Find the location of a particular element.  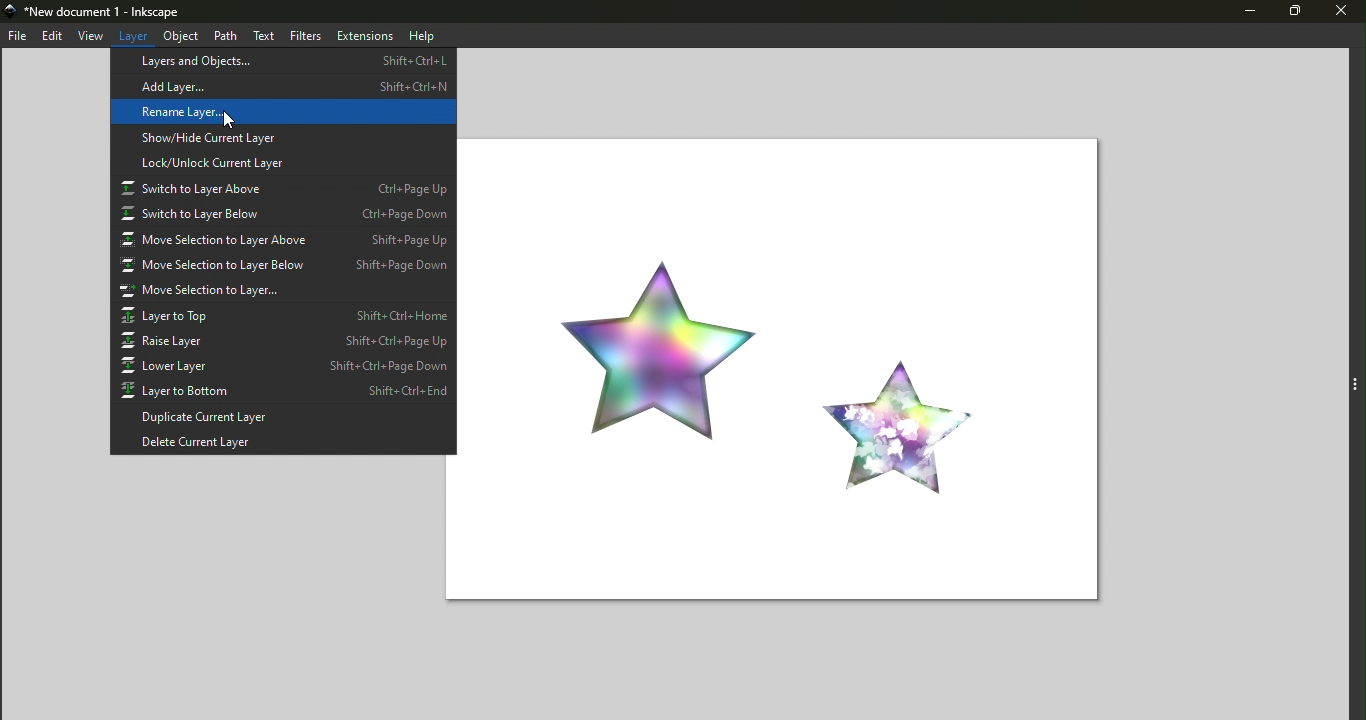

New document 1 - Inkscape is located at coordinates (96, 13).